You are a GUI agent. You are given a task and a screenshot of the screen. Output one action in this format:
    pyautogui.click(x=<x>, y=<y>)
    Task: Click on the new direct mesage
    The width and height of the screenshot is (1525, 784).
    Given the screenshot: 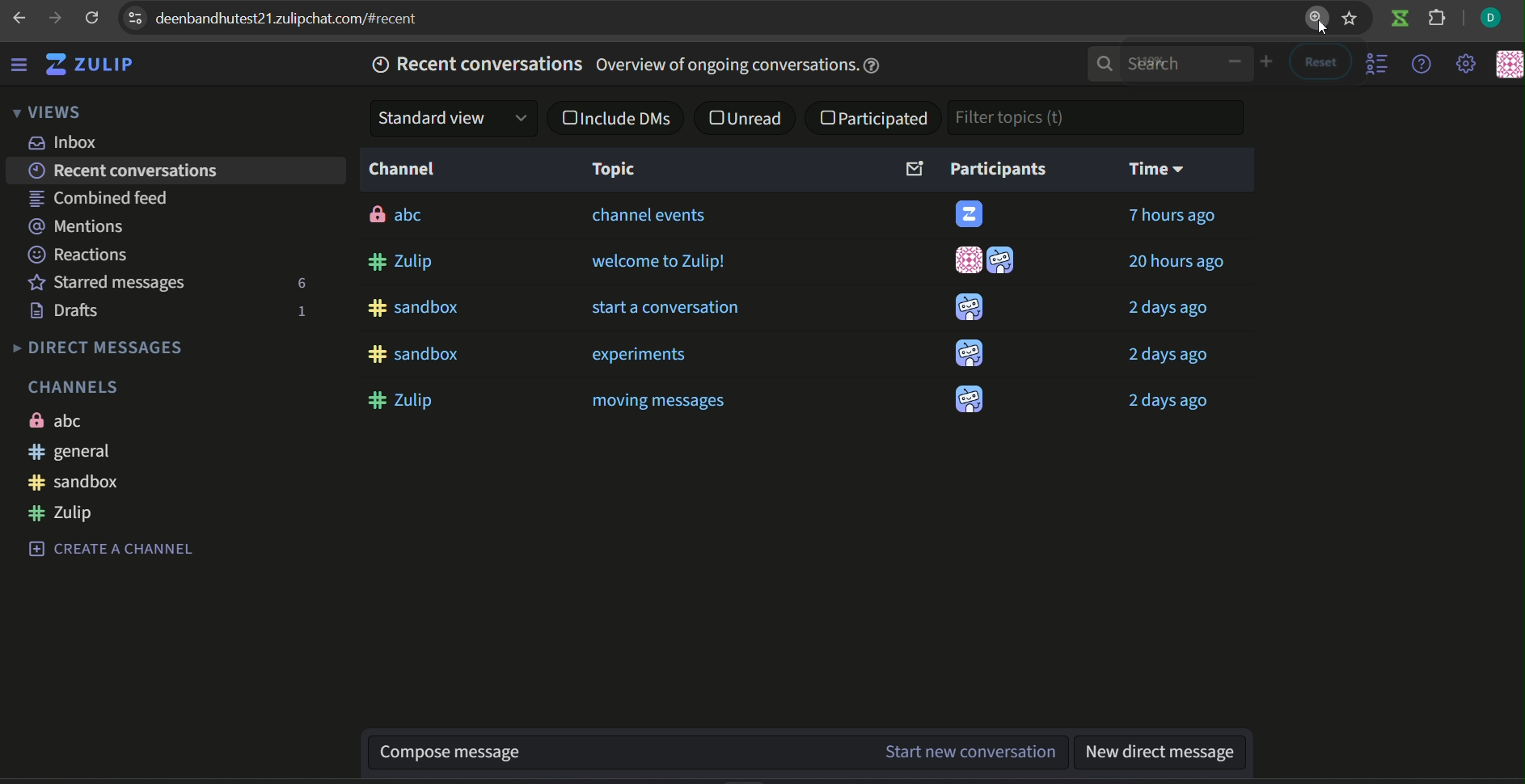 What is the action you would take?
    pyautogui.click(x=1166, y=751)
    